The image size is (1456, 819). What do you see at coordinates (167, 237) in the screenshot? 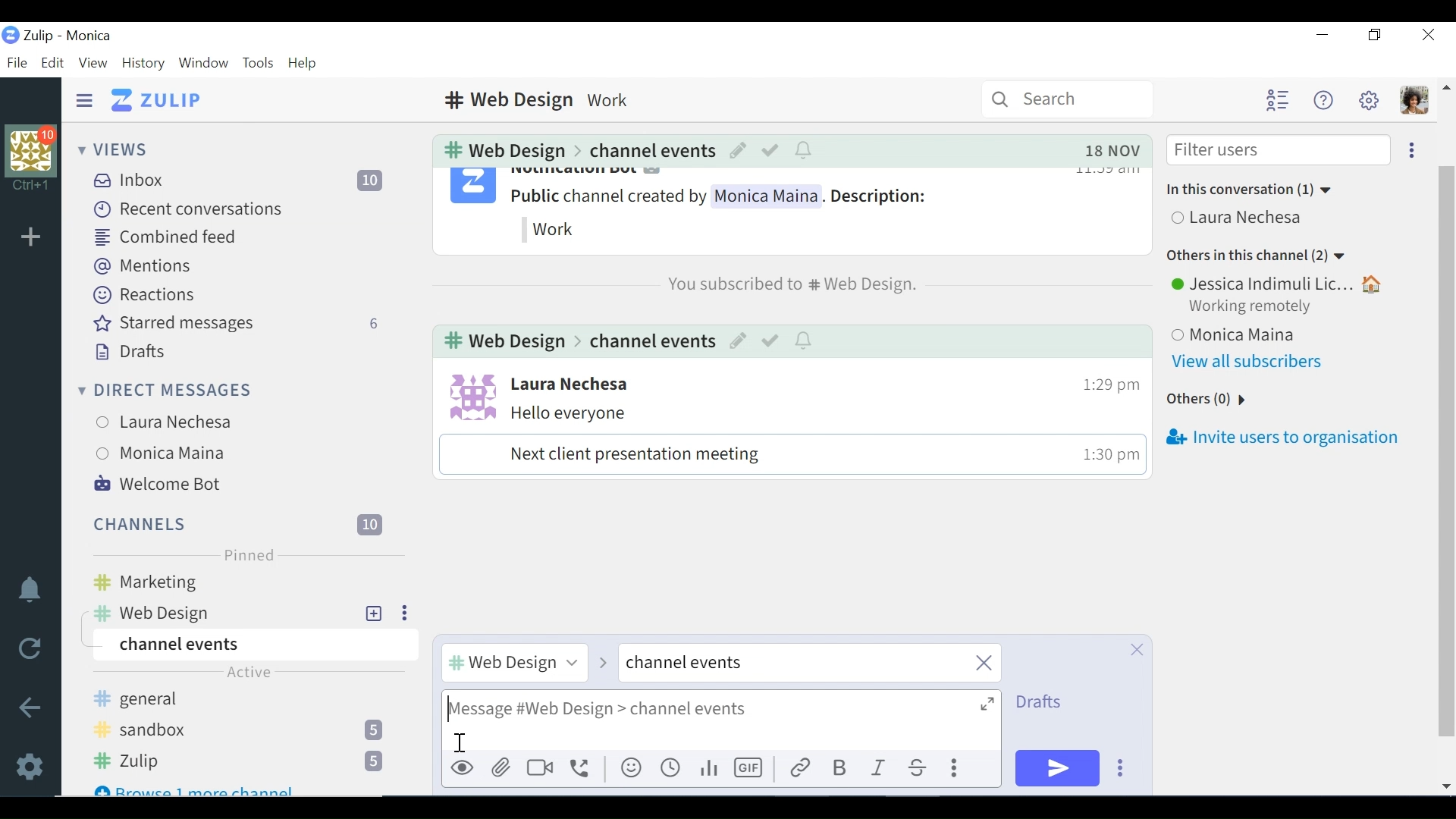
I see `Combined feed` at bounding box center [167, 237].